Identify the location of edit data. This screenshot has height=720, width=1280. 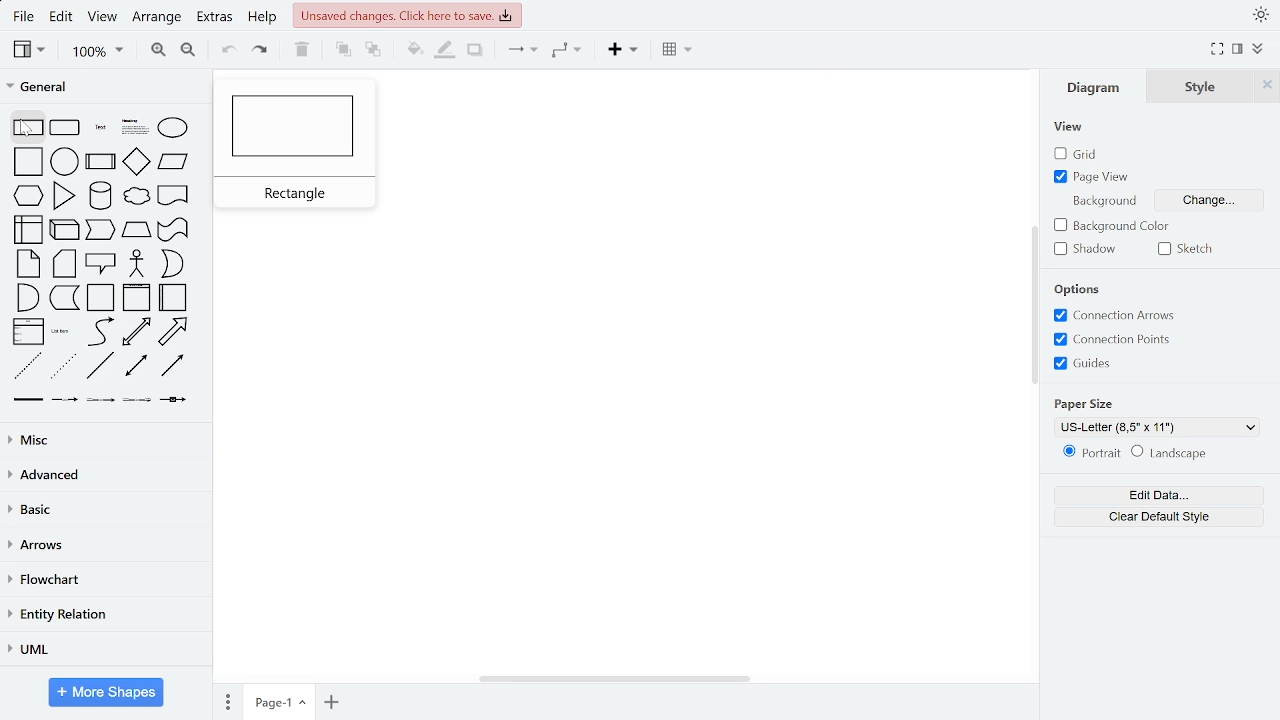
(1157, 495).